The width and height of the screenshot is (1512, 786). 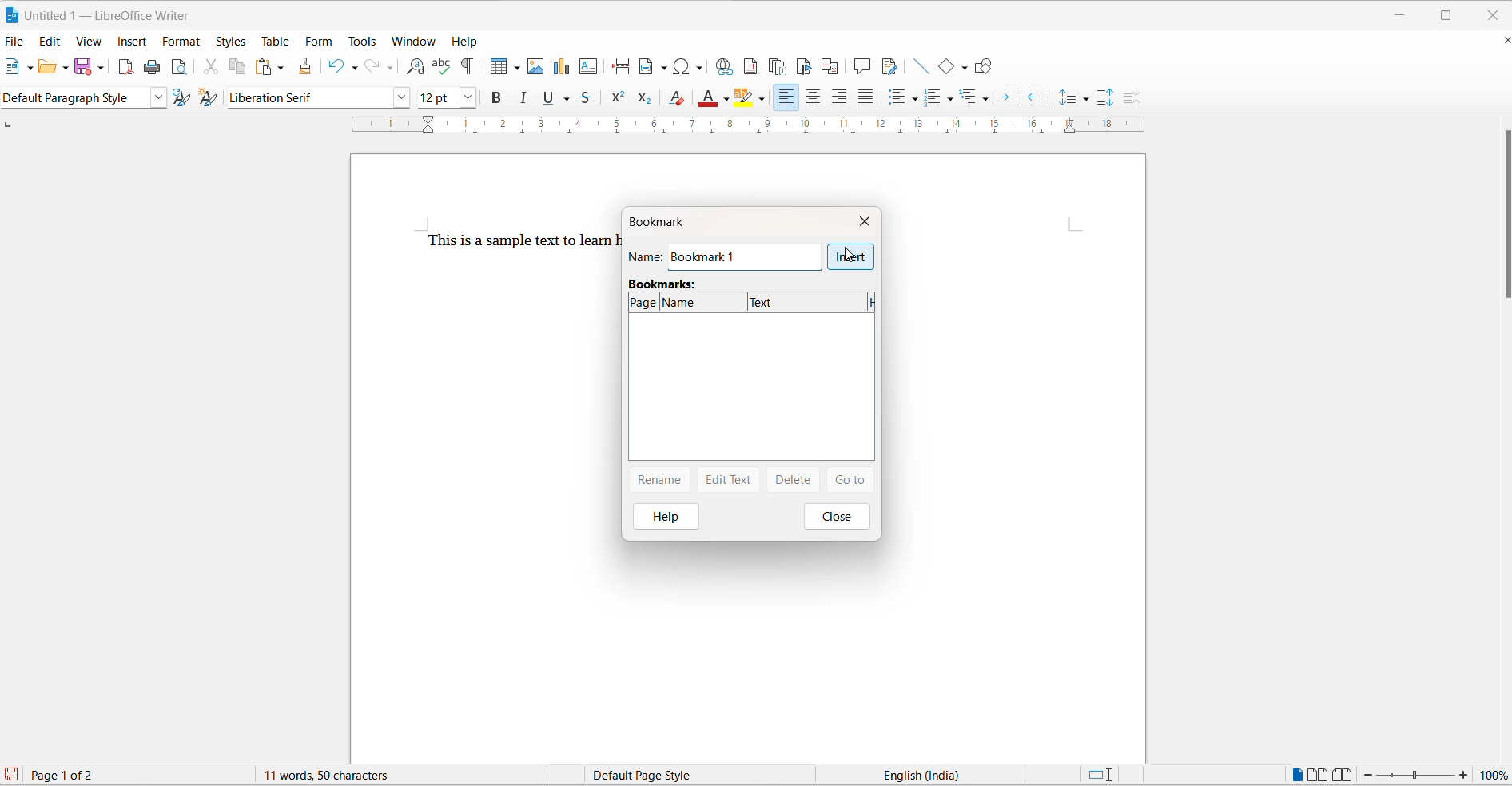 What do you see at coordinates (329, 776) in the screenshot?
I see `11 words, 50 characters` at bounding box center [329, 776].